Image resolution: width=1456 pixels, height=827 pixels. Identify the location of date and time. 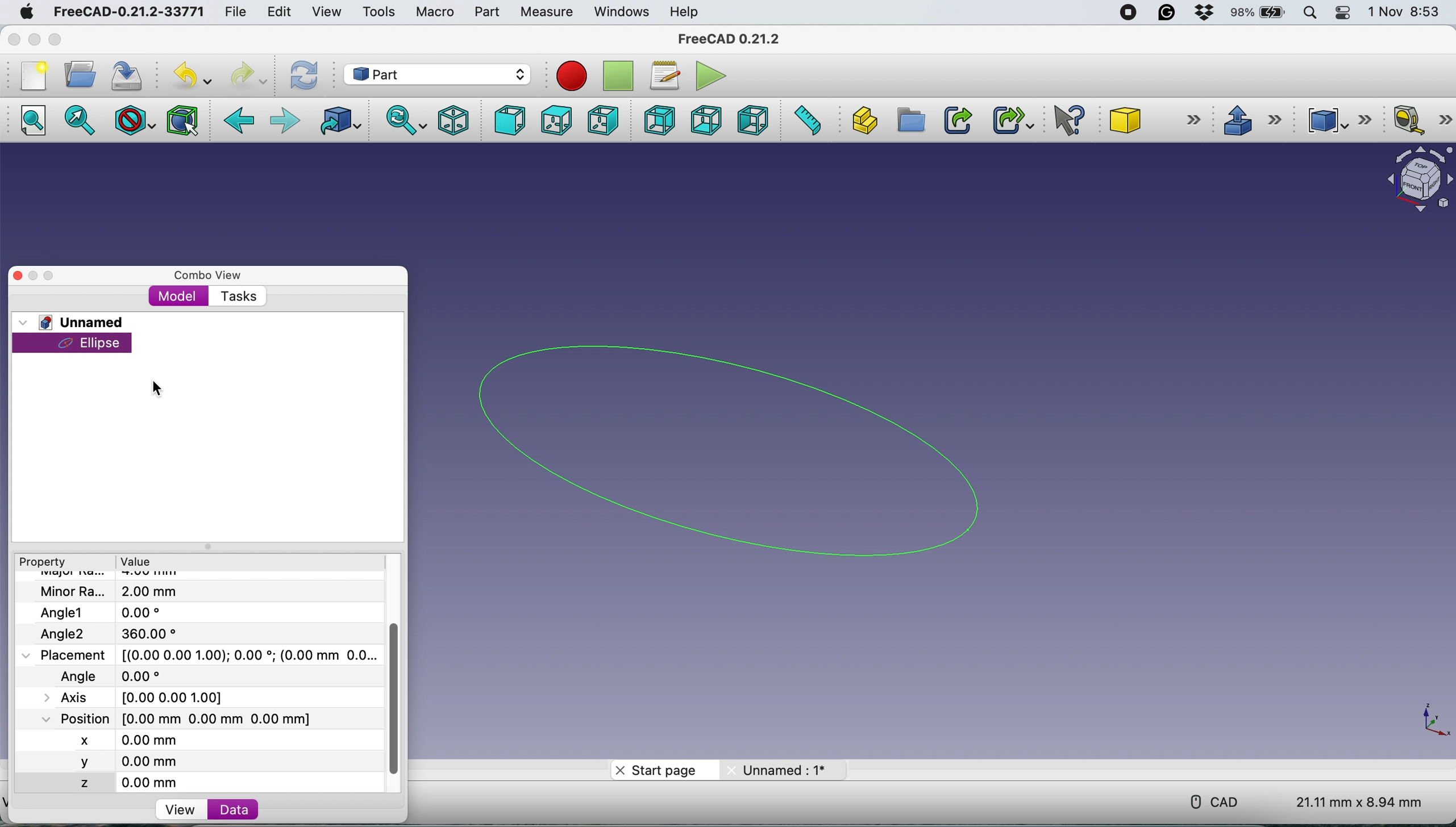
(1405, 12).